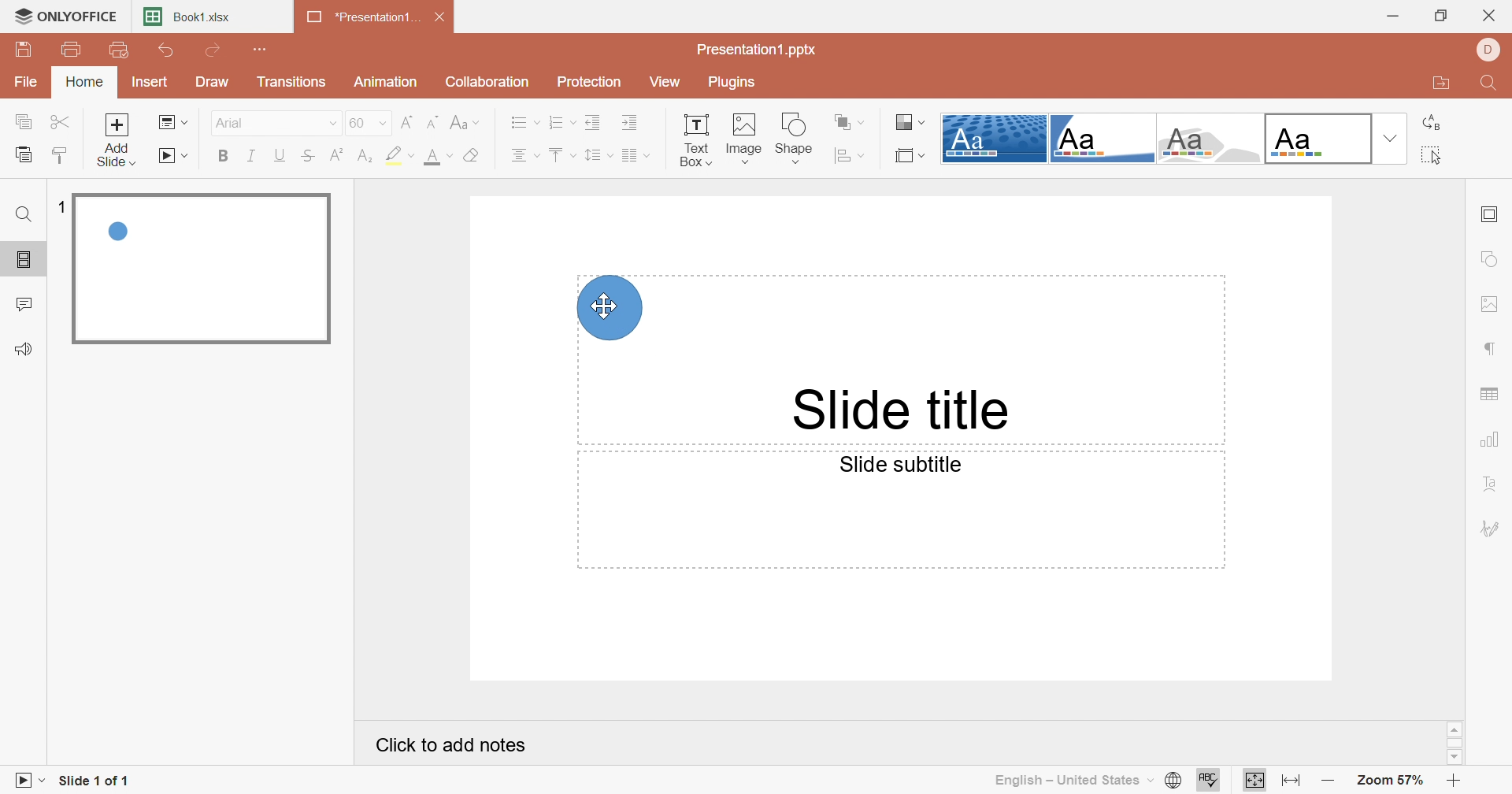 The height and width of the screenshot is (794, 1512). What do you see at coordinates (21, 49) in the screenshot?
I see `Save` at bounding box center [21, 49].